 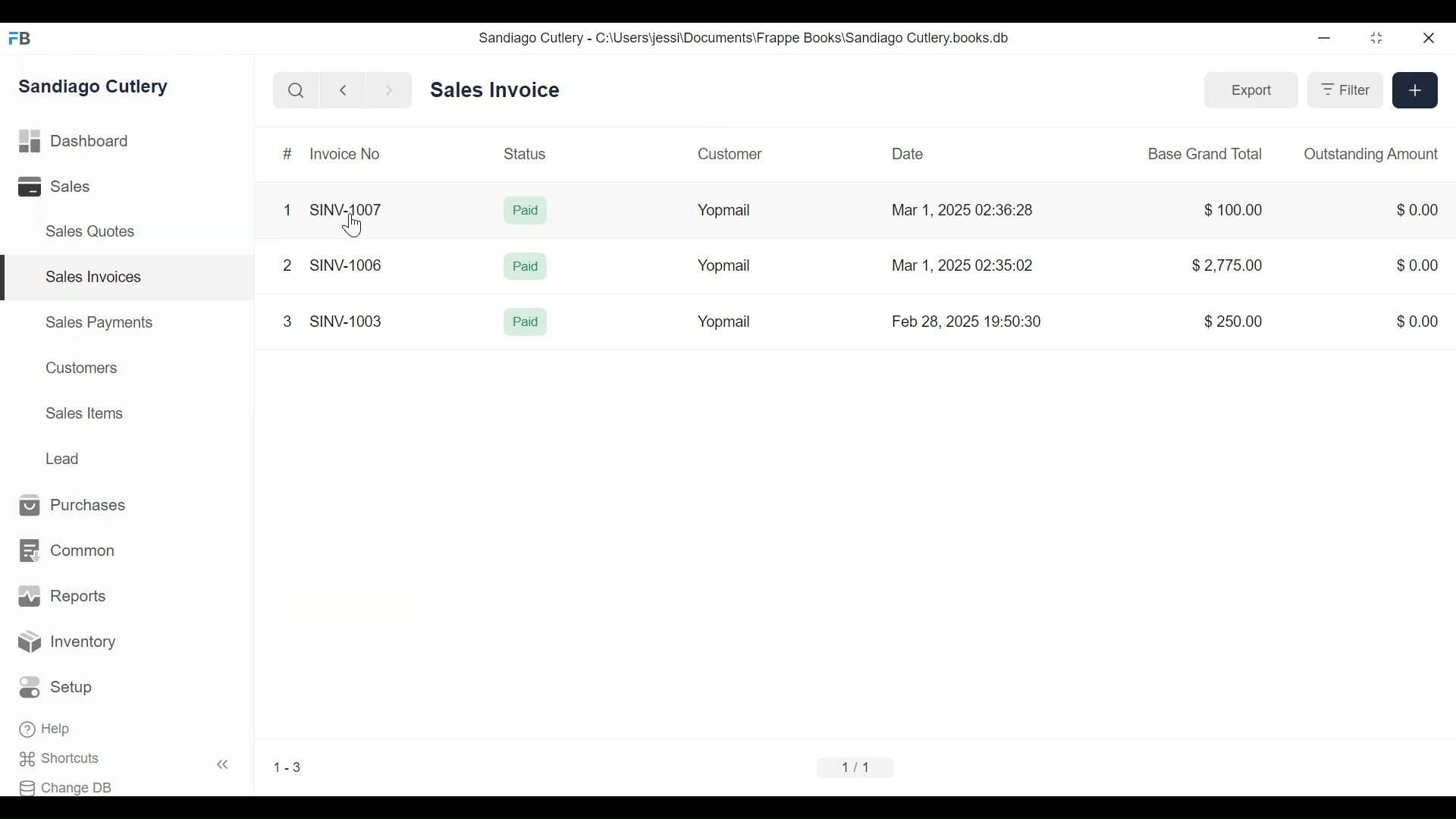 I want to click on Base Grand Total, so click(x=1208, y=152).